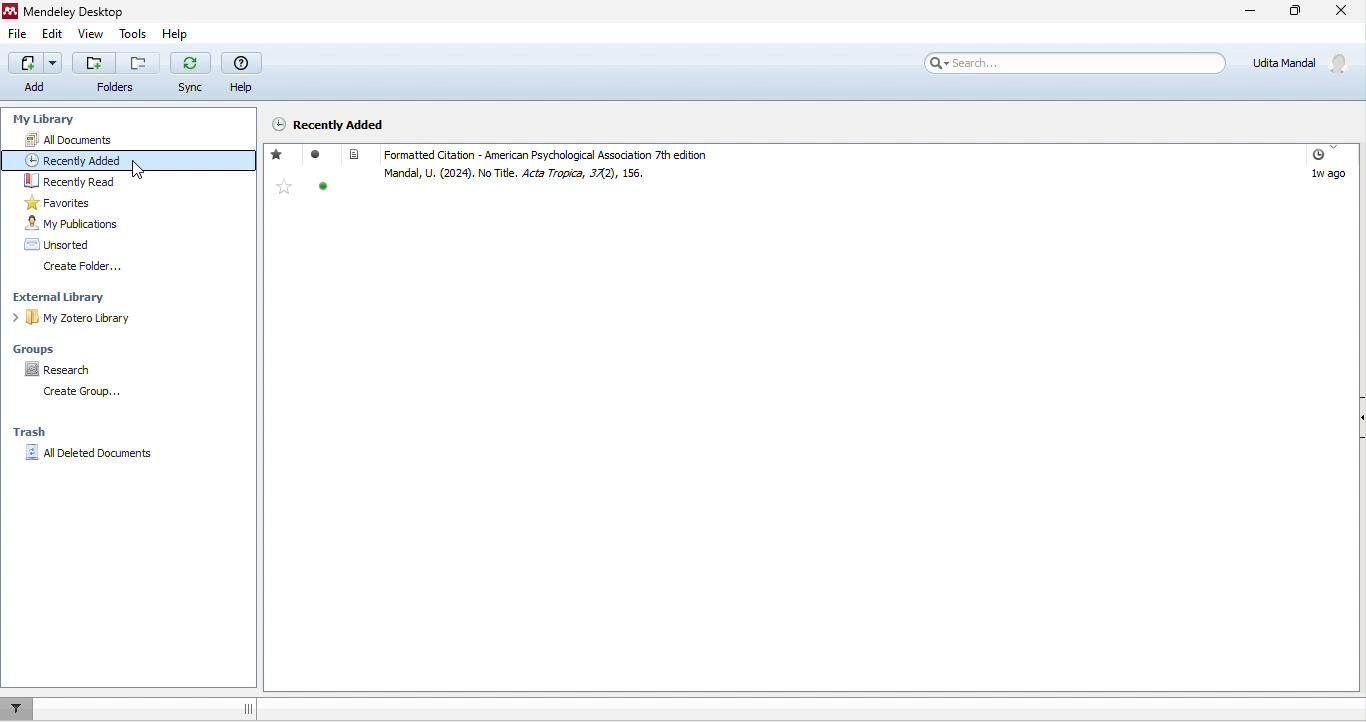 Image resolution: width=1366 pixels, height=722 pixels. I want to click on create folder, so click(98, 268).